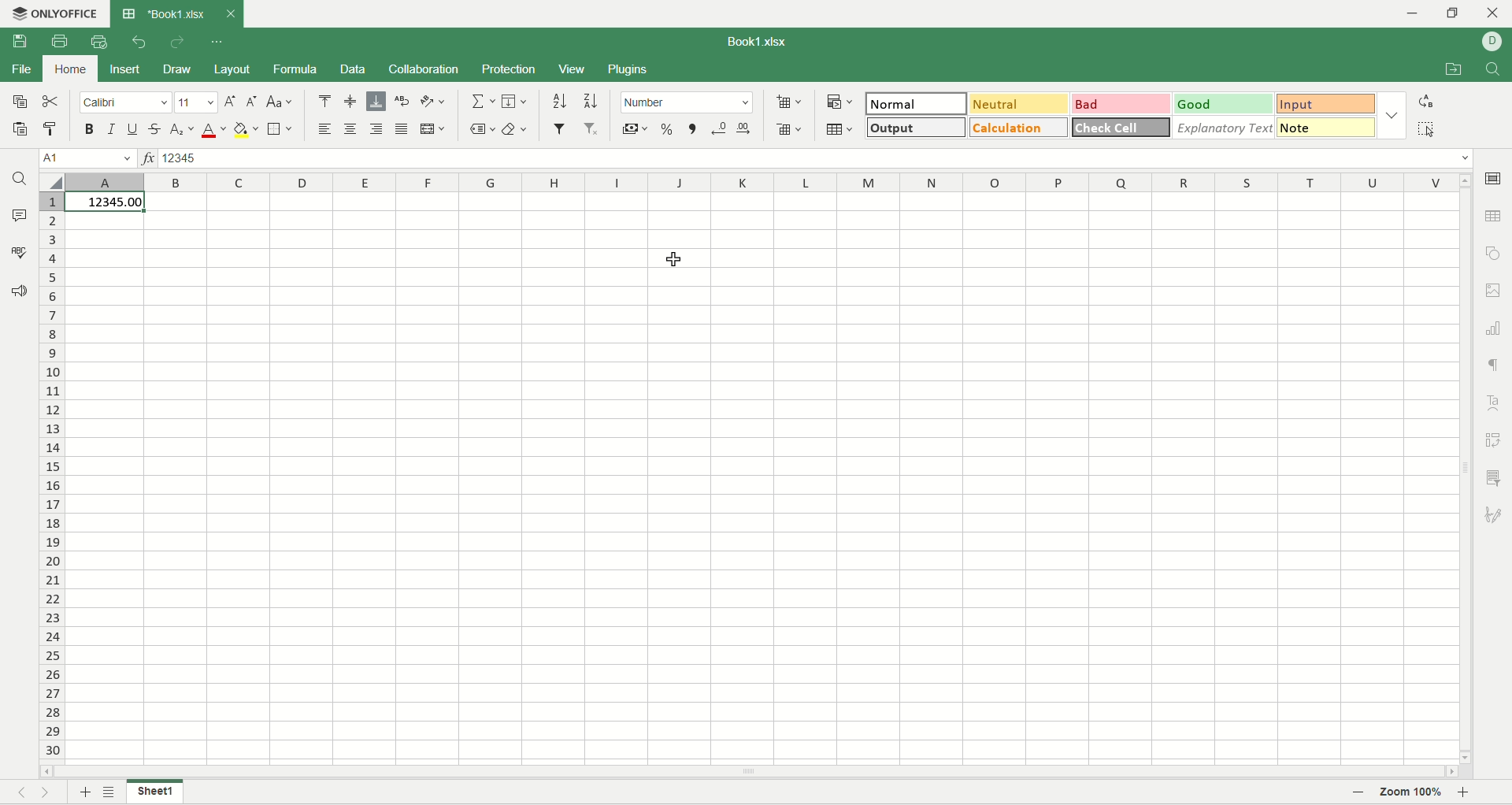 The image size is (1512, 805). I want to click on bad, so click(1121, 103).